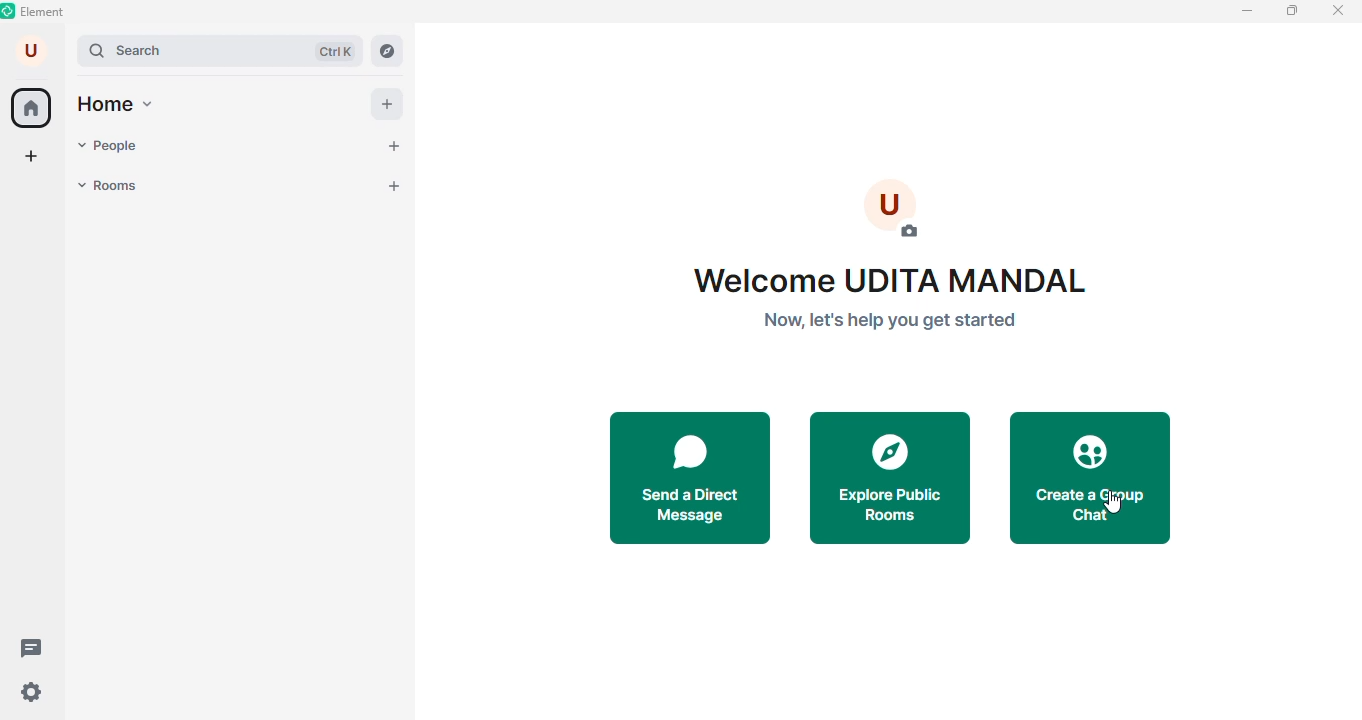 This screenshot has height=720, width=1362. What do you see at coordinates (890, 478) in the screenshot?
I see `explore public rooms` at bounding box center [890, 478].